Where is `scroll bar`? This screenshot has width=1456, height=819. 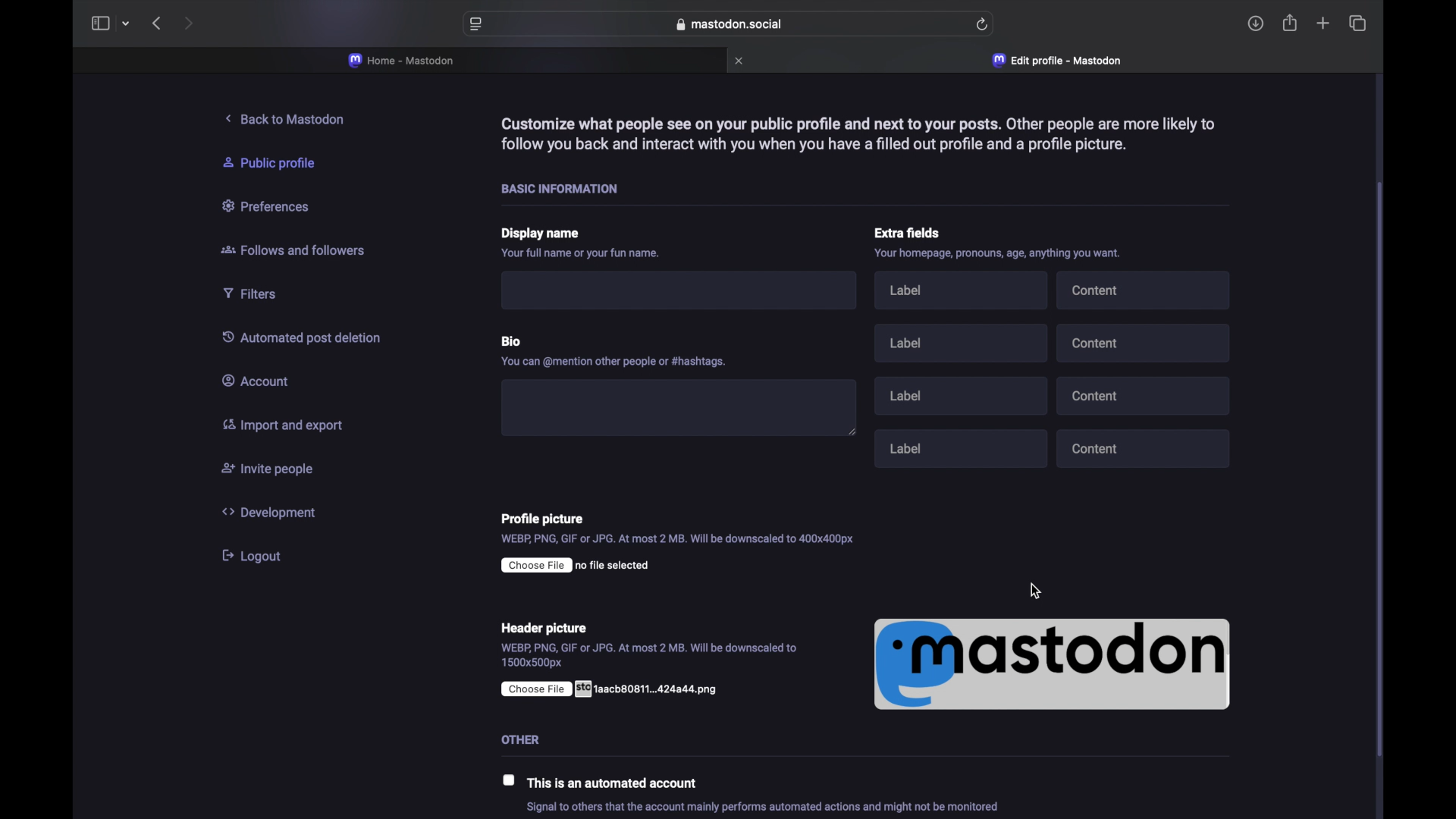
scroll bar is located at coordinates (1382, 473).